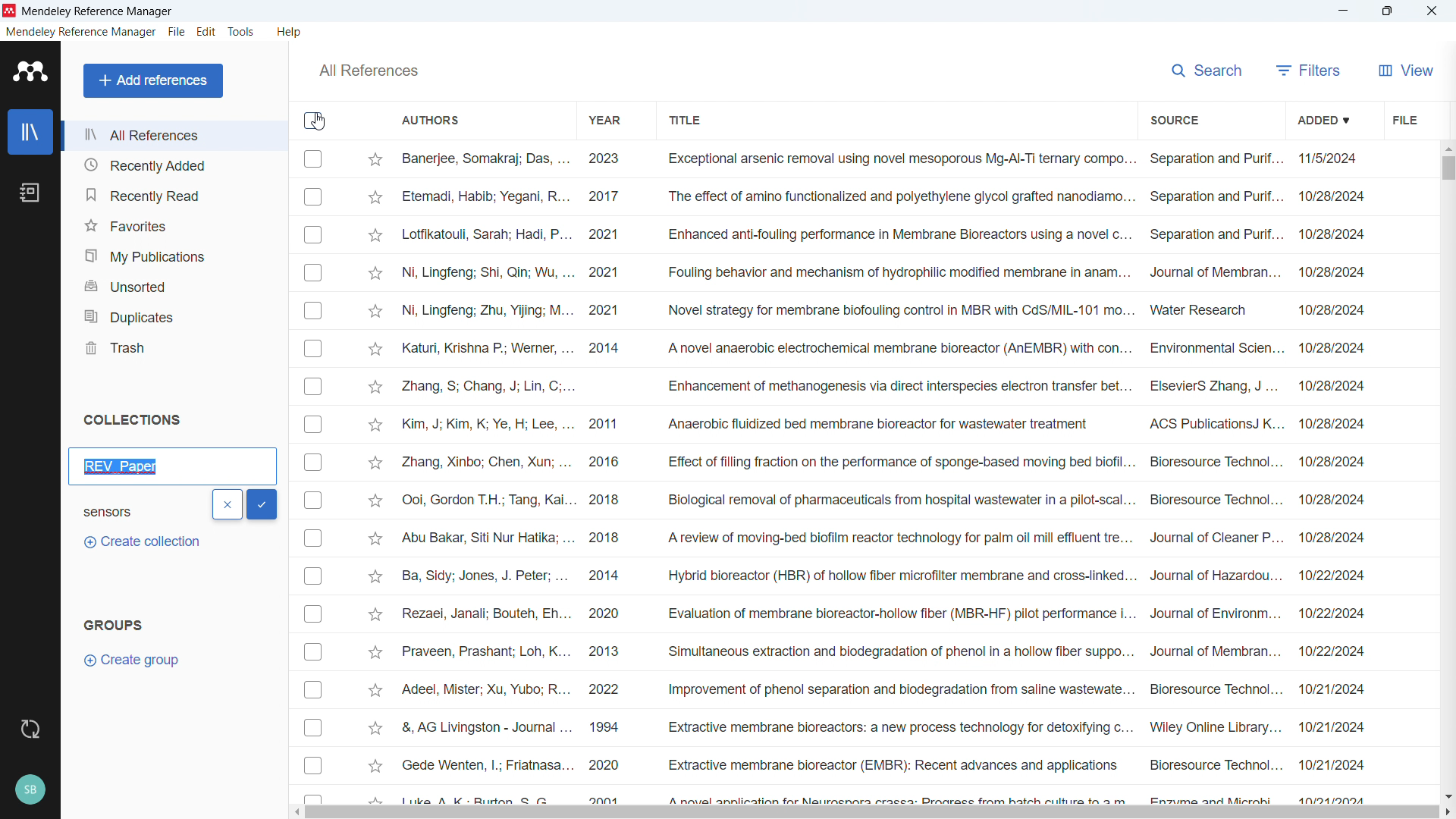 The width and height of the screenshot is (1456, 819). I want to click on Unsorted , so click(173, 285).